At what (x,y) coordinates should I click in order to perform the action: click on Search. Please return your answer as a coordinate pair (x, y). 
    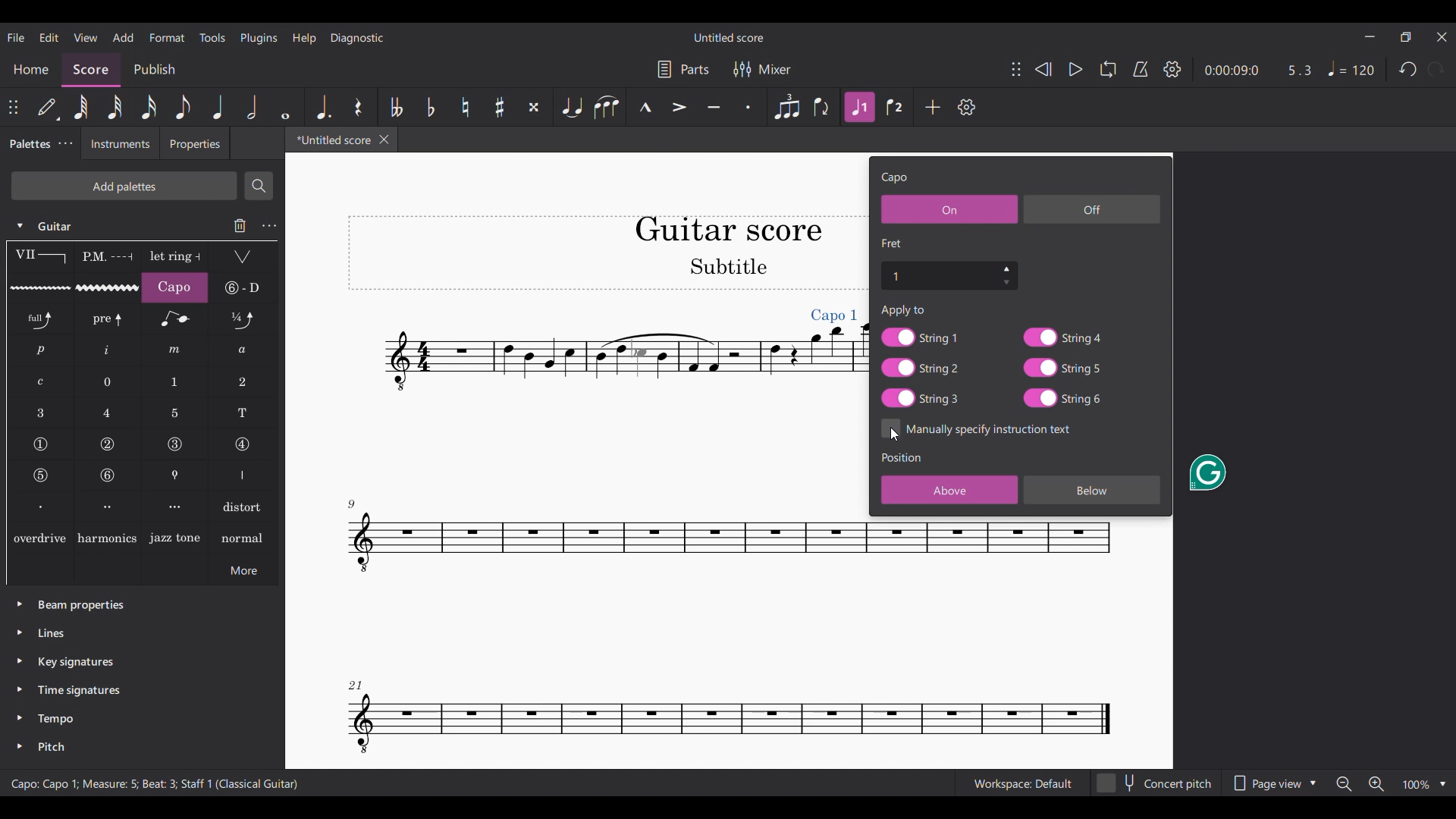
    Looking at the image, I should click on (259, 186).